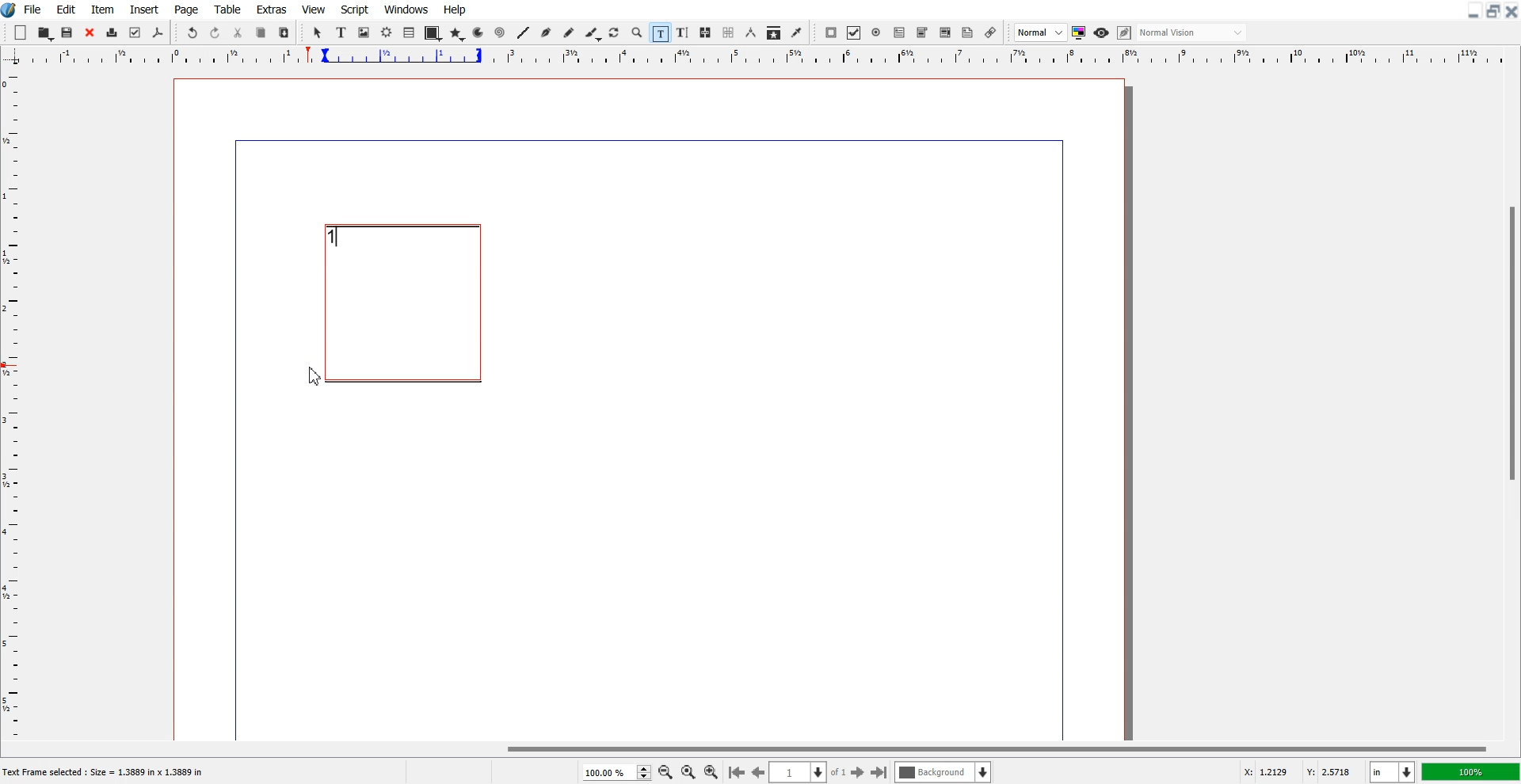 The height and width of the screenshot is (784, 1521). What do you see at coordinates (457, 33) in the screenshot?
I see `Polygon` at bounding box center [457, 33].